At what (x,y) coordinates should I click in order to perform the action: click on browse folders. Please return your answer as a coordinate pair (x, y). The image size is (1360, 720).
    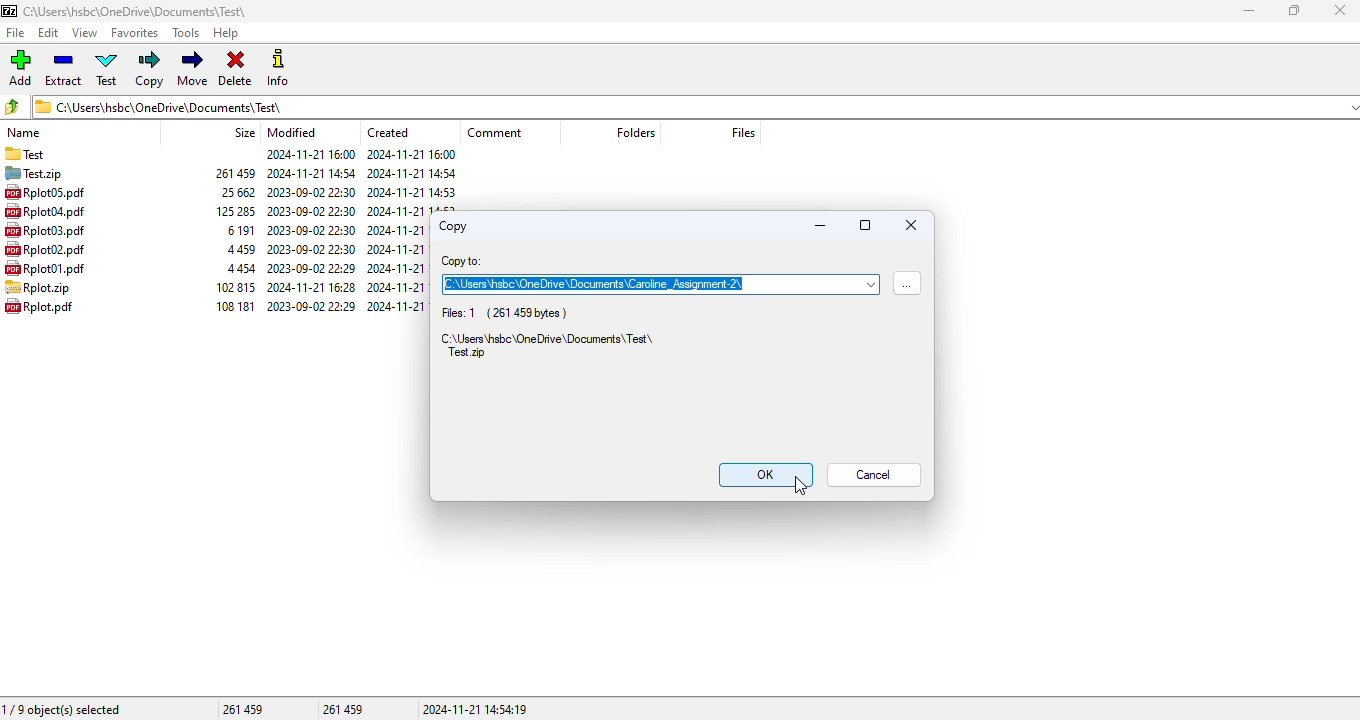
    Looking at the image, I should click on (12, 106).